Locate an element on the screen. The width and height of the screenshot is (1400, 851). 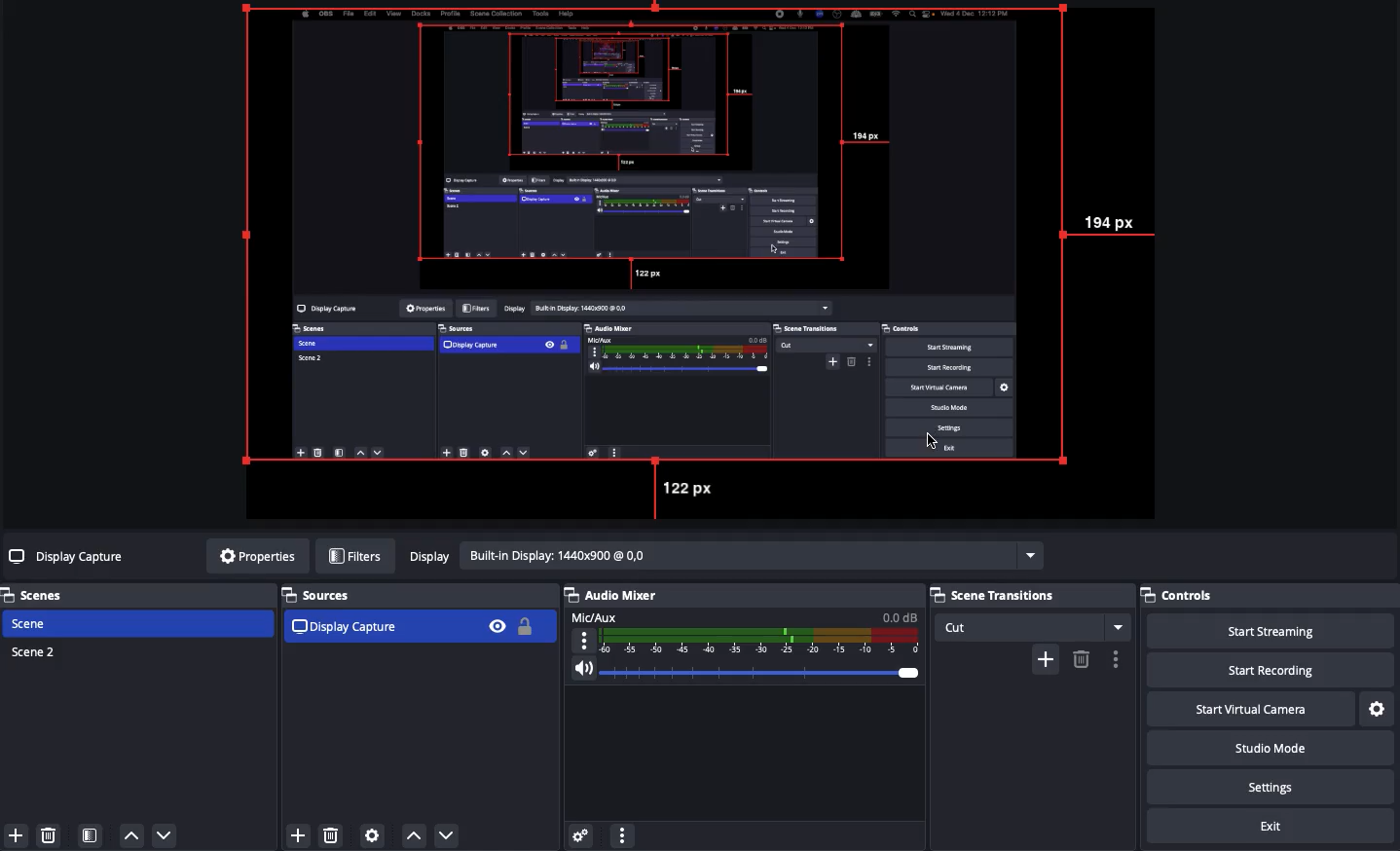
194 px is located at coordinates (1115, 223).